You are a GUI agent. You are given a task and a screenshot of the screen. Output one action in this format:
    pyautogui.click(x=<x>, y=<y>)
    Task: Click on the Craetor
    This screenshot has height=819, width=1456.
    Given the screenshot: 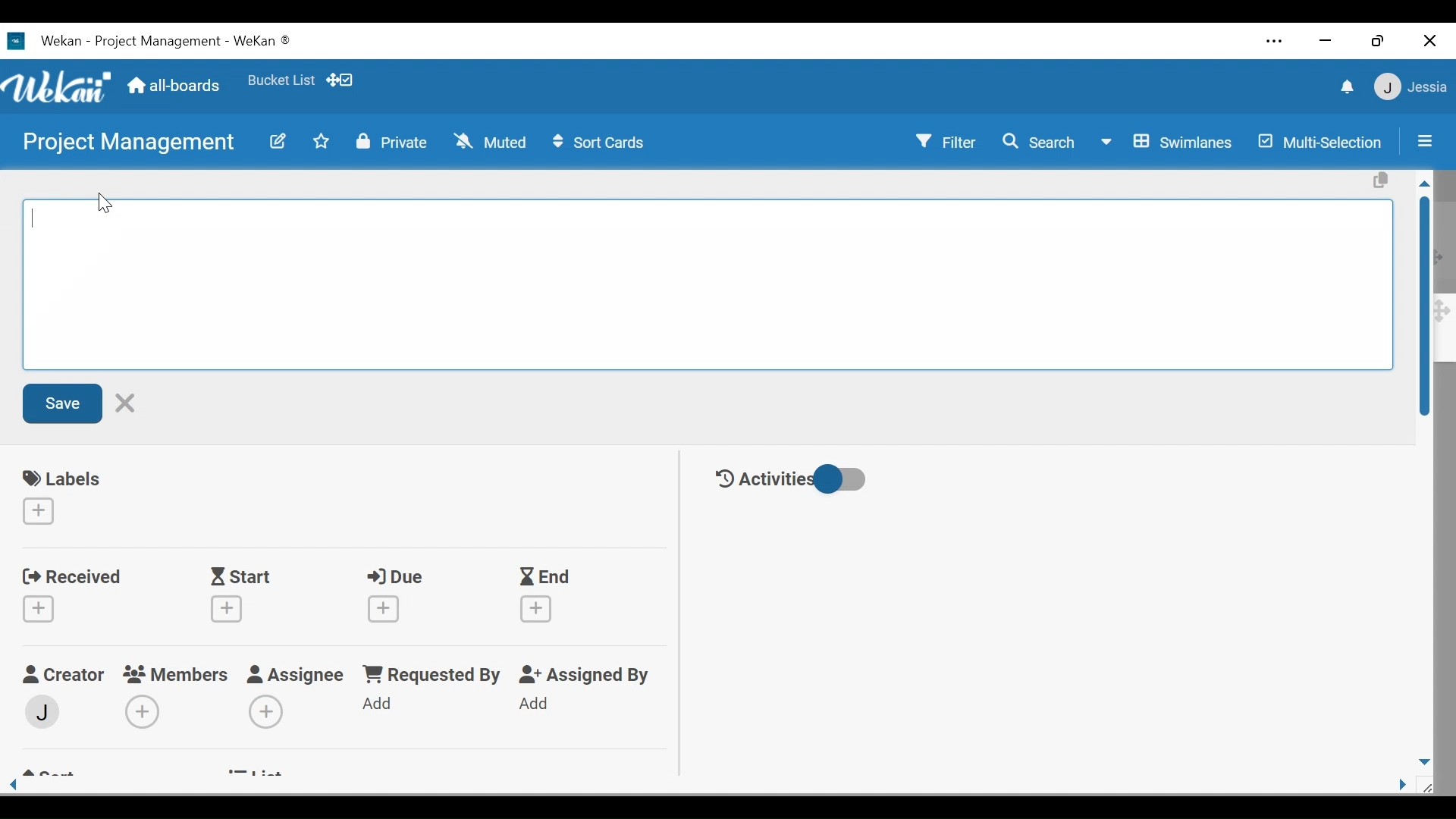 What is the action you would take?
    pyautogui.click(x=62, y=673)
    